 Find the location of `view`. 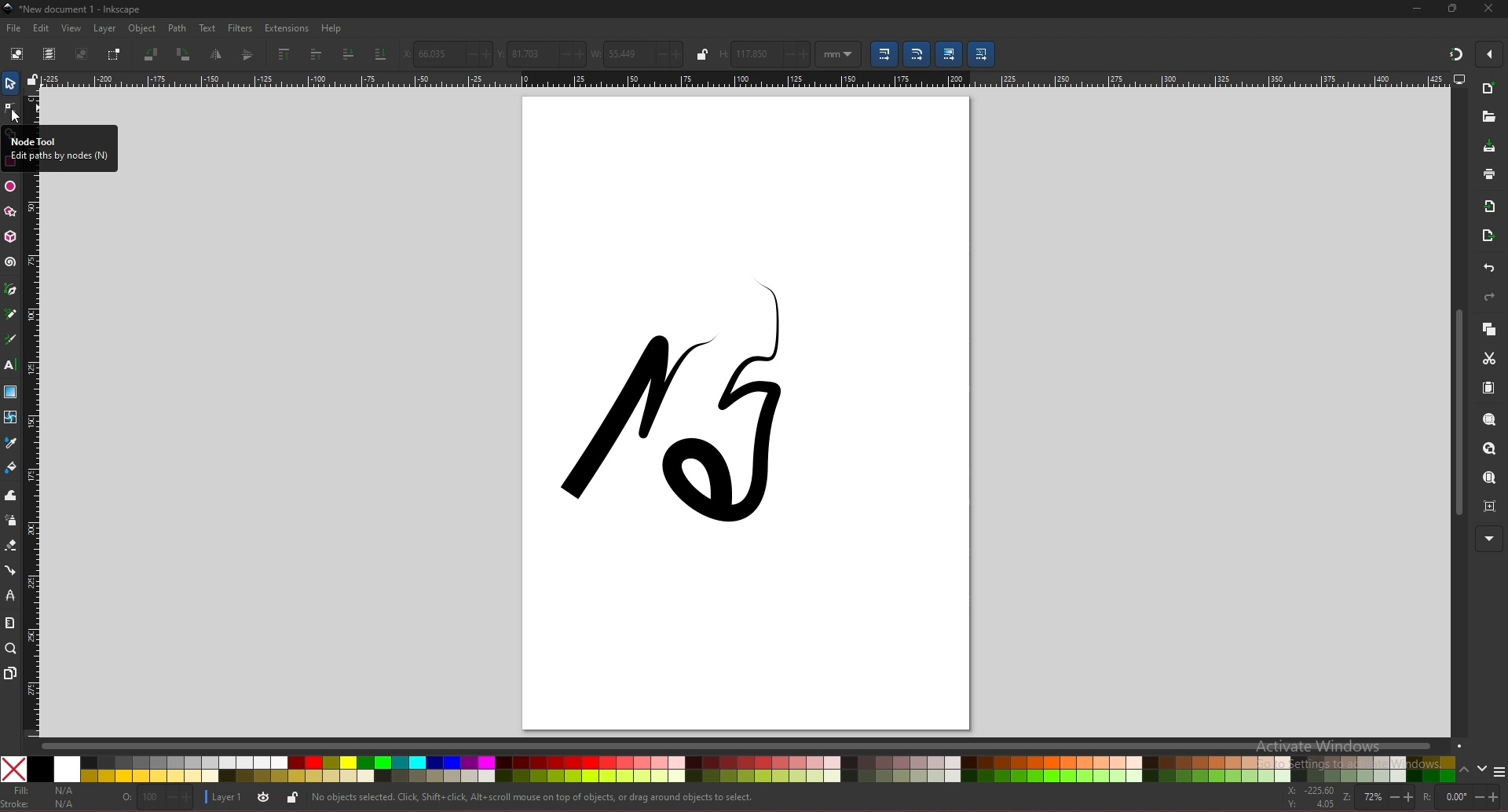

view is located at coordinates (71, 28).